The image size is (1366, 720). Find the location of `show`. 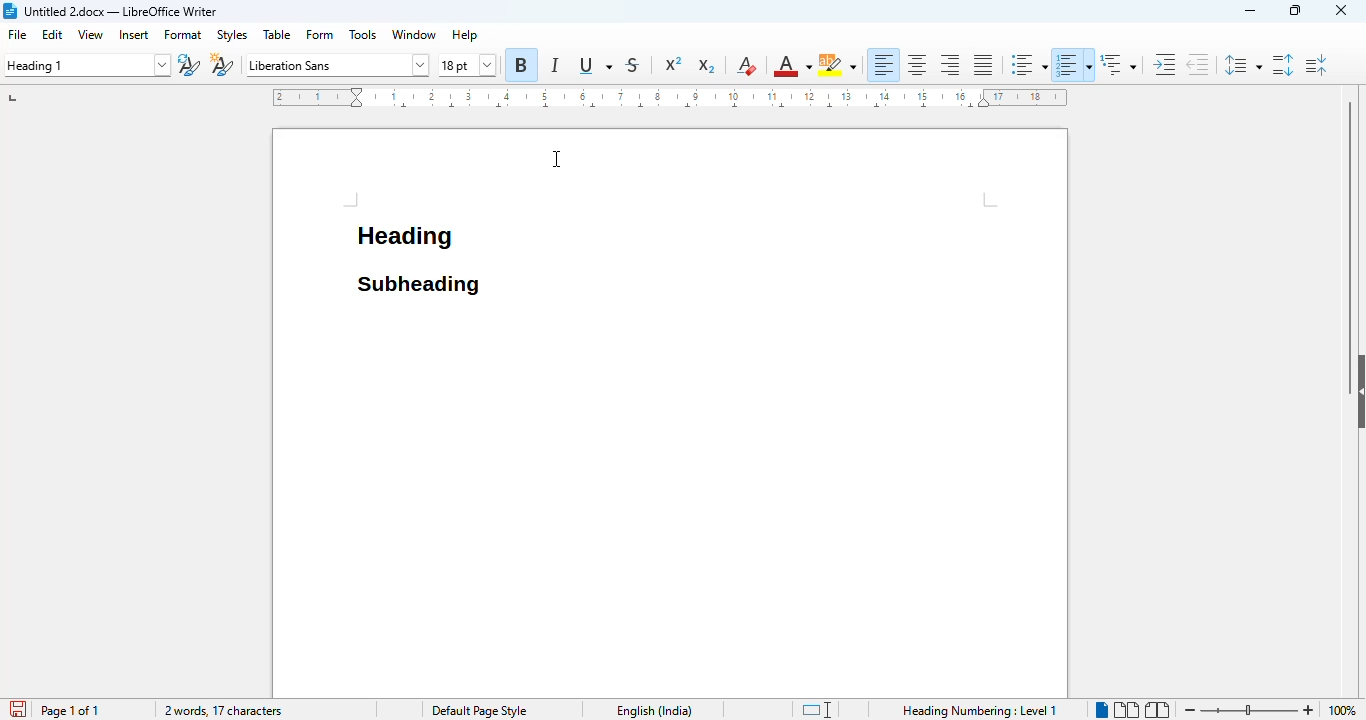

show is located at coordinates (1357, 391).